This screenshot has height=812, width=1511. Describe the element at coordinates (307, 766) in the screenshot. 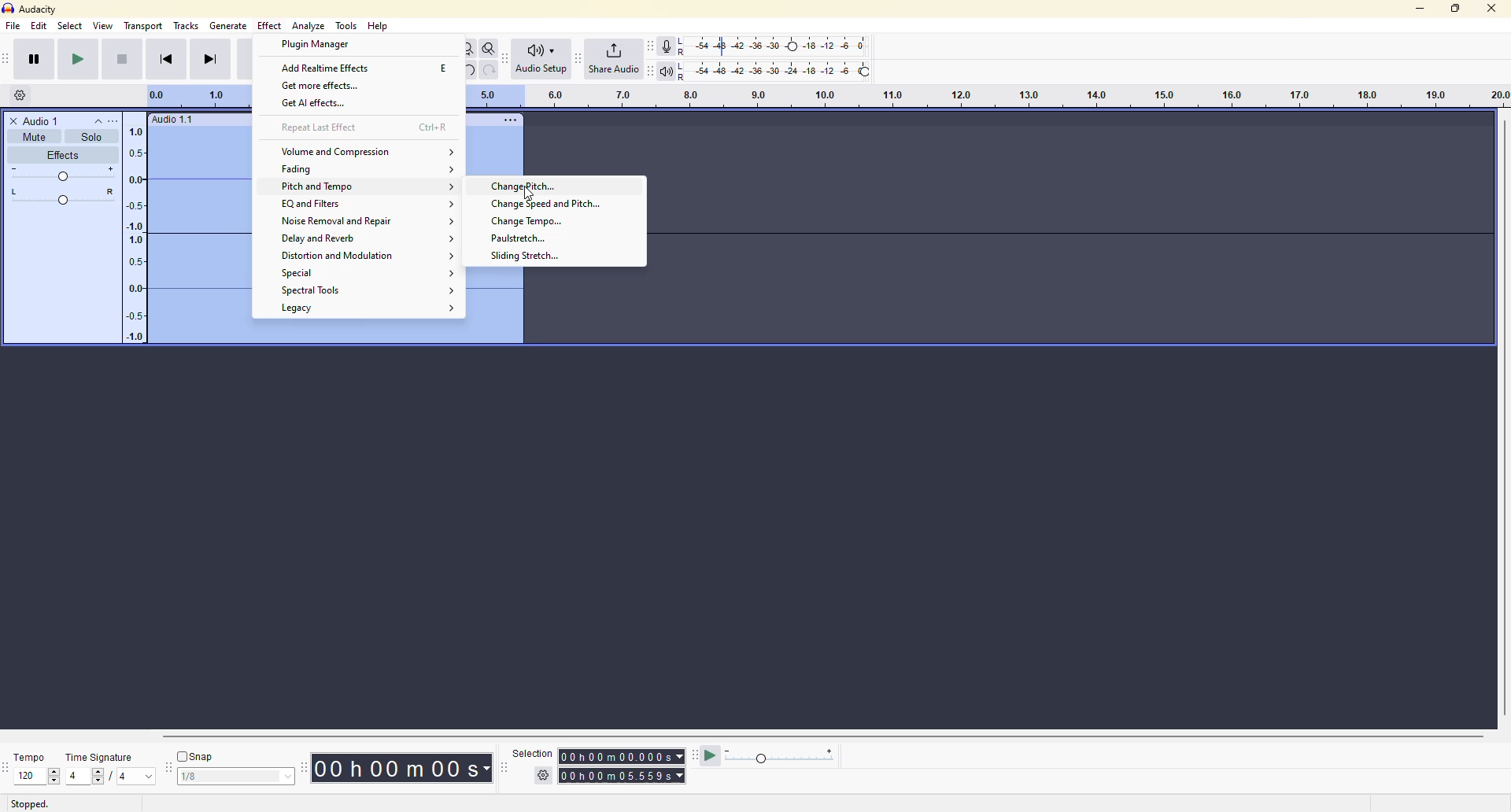

I see `time toolbar` at that location.